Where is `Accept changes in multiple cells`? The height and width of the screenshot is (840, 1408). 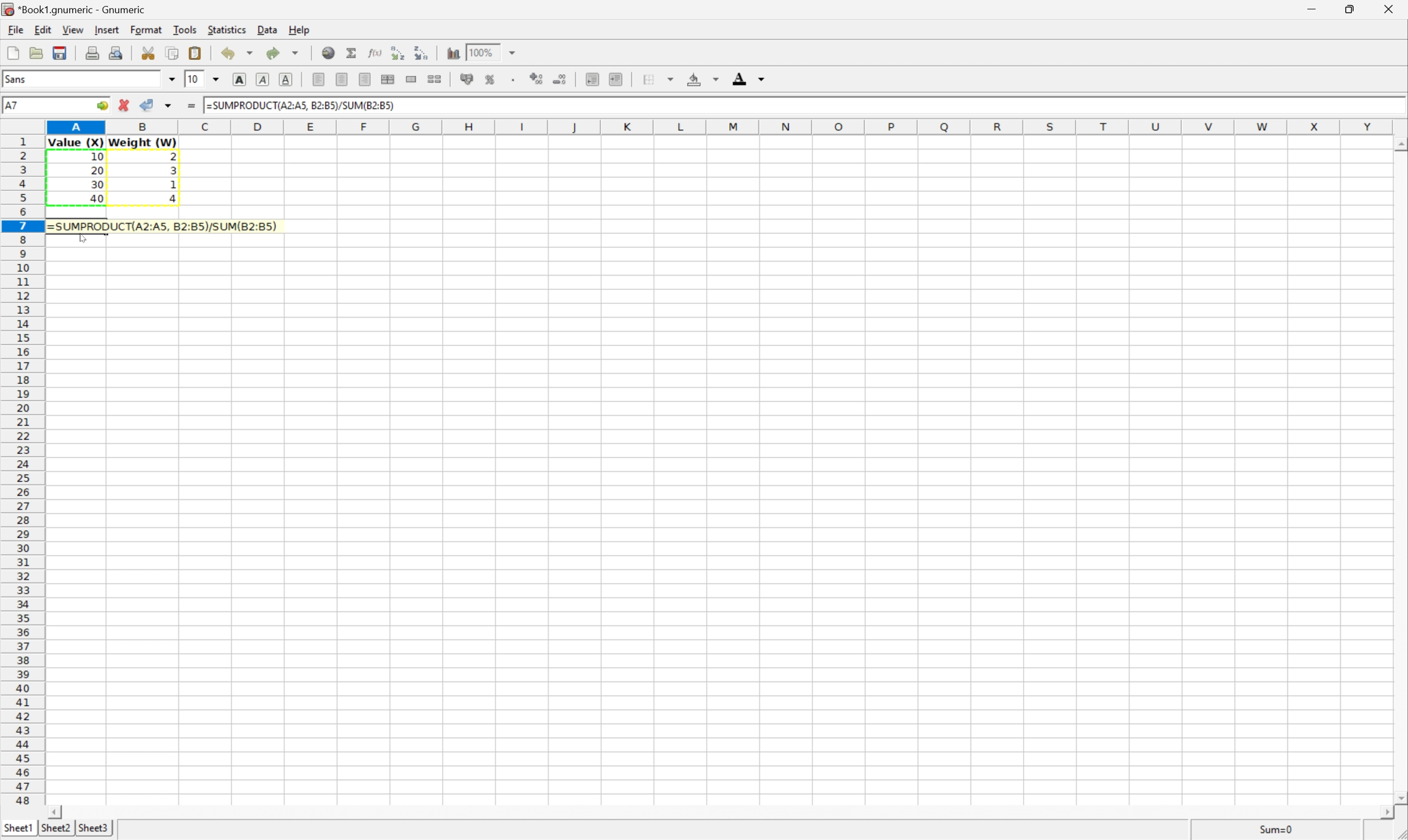
Accept changes in multiple cells is located at coordinates (168, 107).